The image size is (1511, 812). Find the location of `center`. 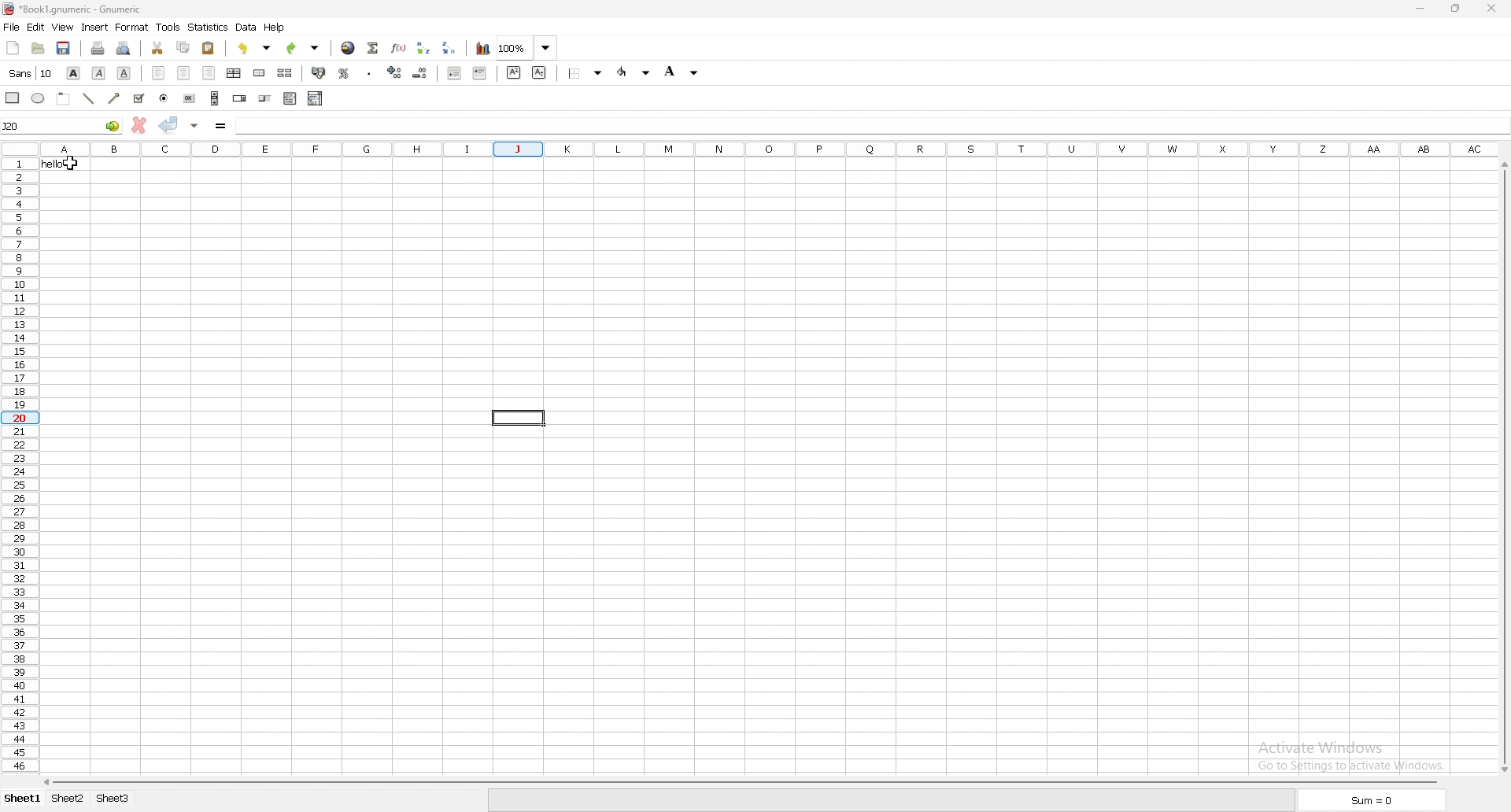

center is located at coordinates (184, 72).